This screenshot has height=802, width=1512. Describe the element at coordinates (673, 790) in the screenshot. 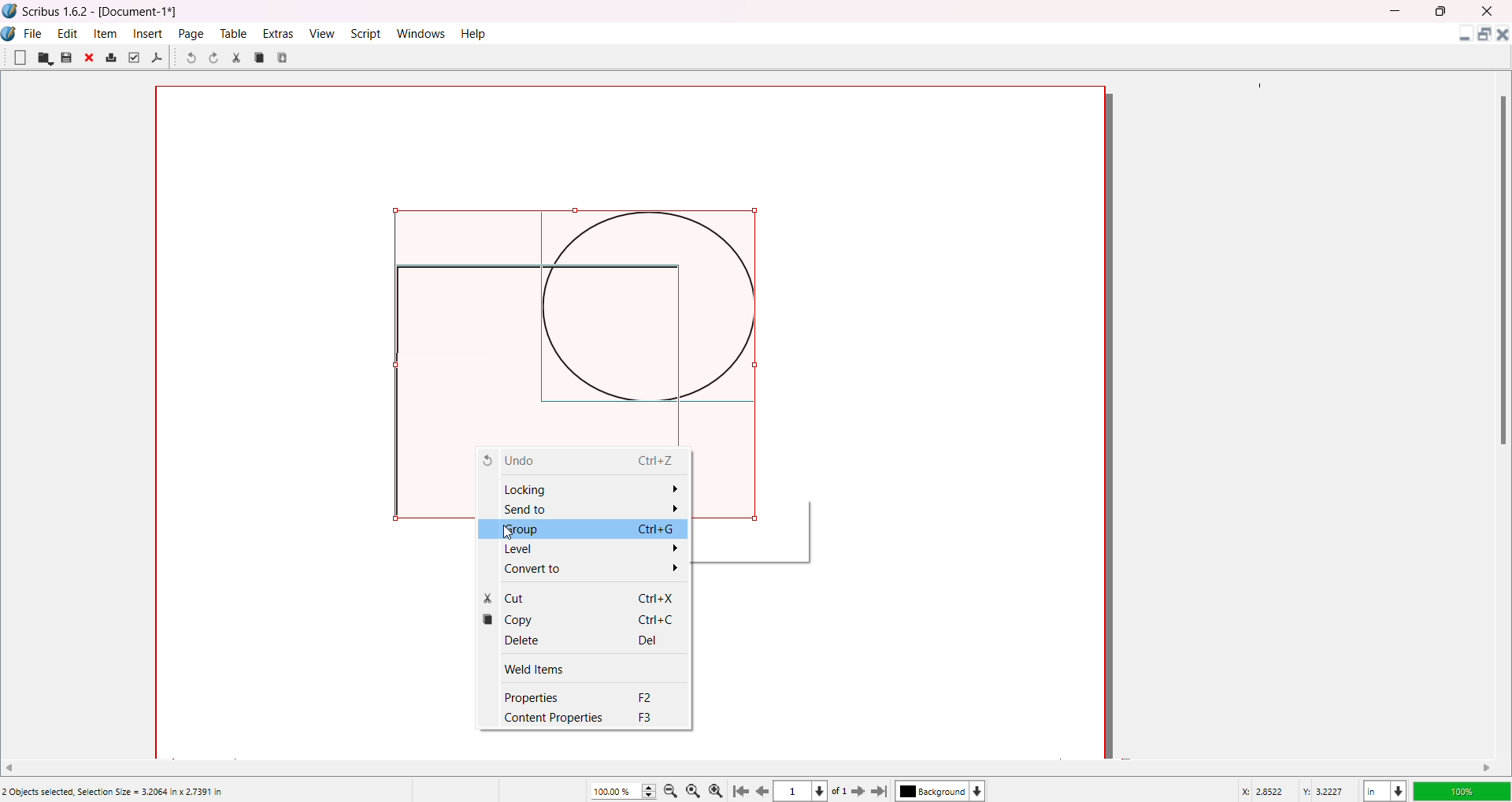

I see `Zoom out` at that location.